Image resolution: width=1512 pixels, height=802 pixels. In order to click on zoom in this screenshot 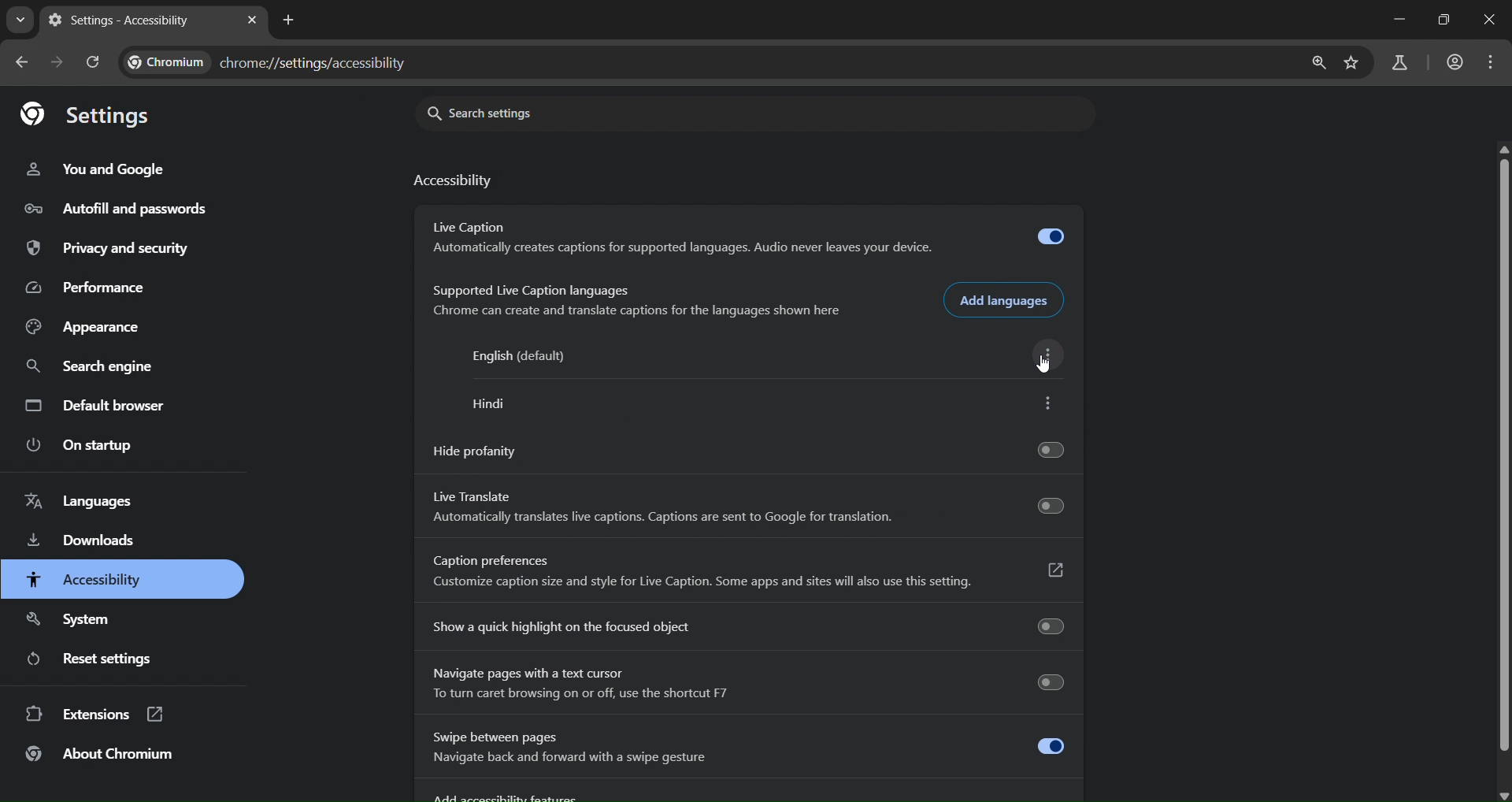, I will do `click(1314, 64)`.